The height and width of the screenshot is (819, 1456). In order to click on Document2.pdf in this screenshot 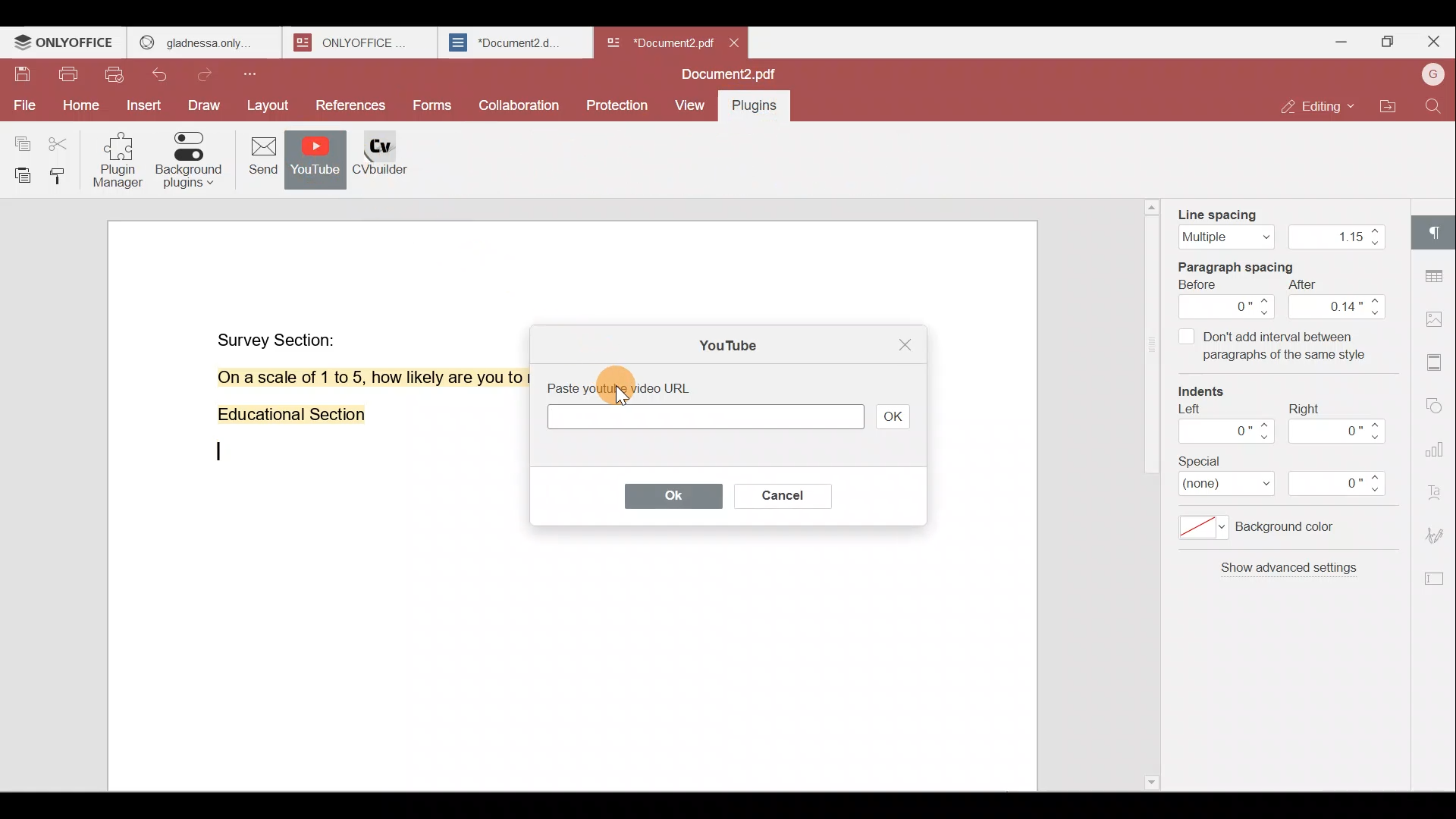, I will do `click(657, 42)`.